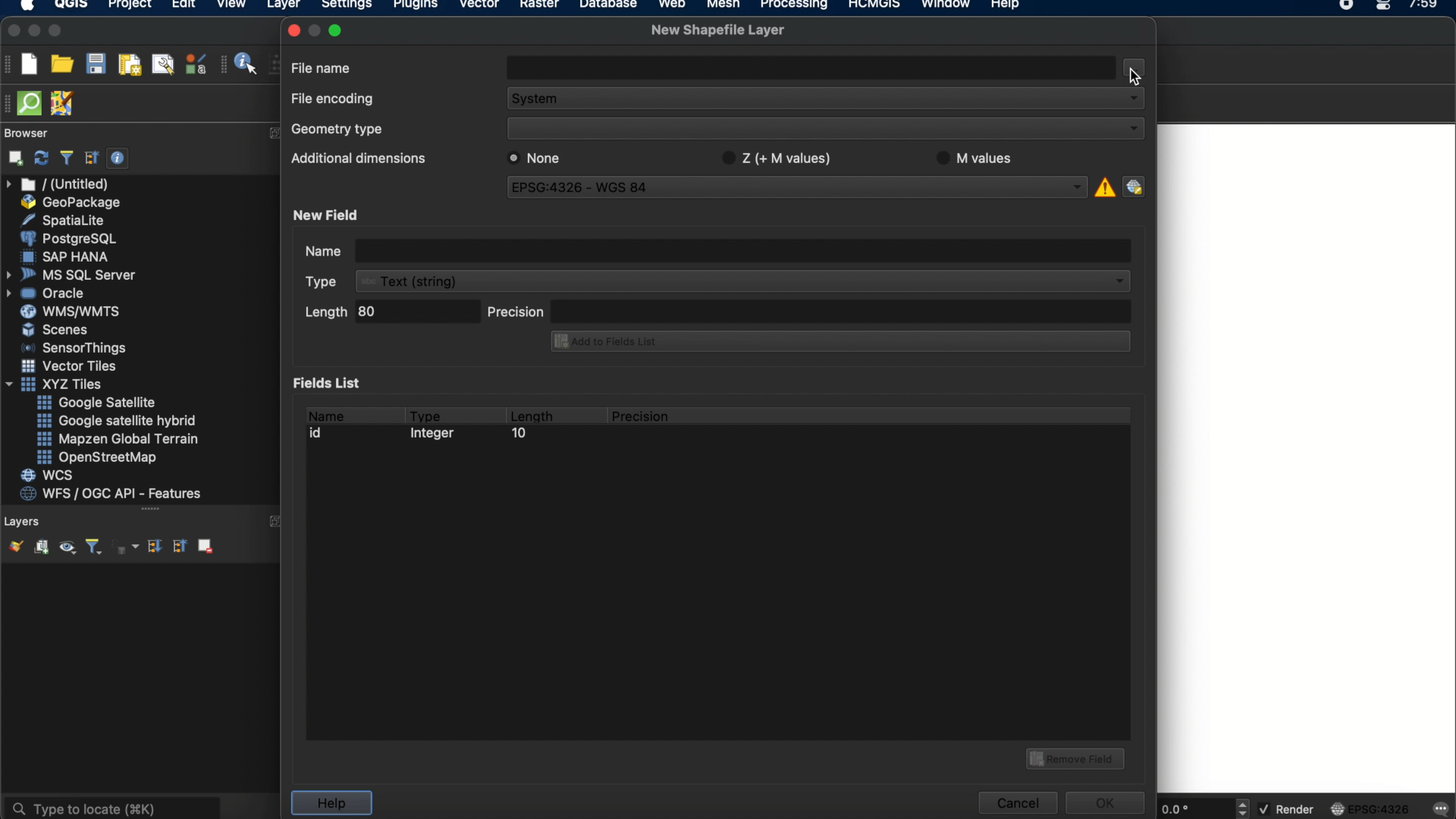 The image size is (1456, 819). What do you see at coordinates (1348, 6) in the screenshot?
I see `recorder icon` at bounding box center [1348, 6].